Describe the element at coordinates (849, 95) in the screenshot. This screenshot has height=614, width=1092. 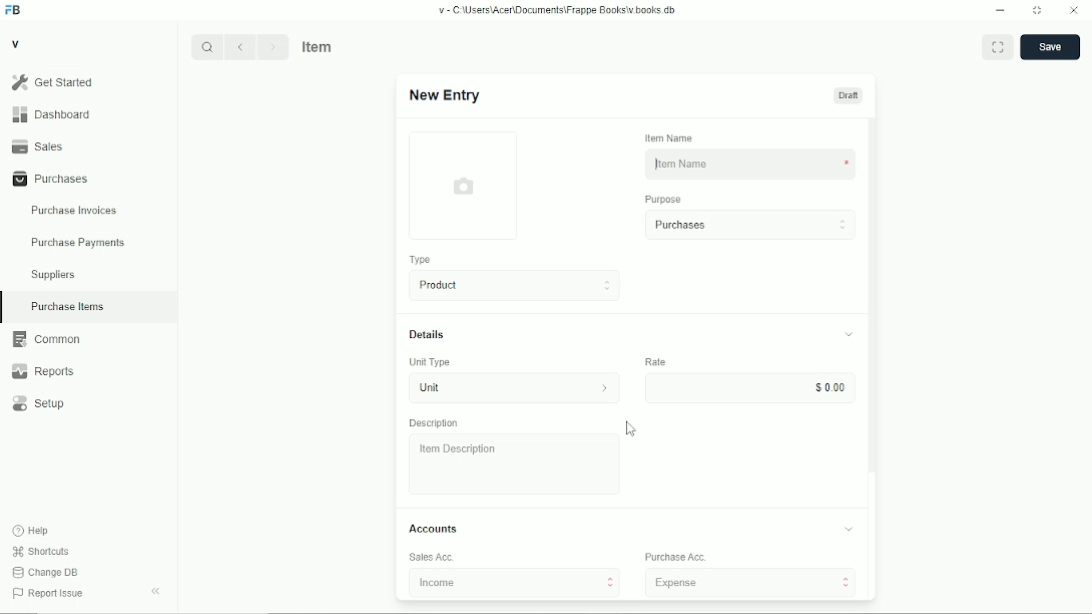
I see `draft` at that location.